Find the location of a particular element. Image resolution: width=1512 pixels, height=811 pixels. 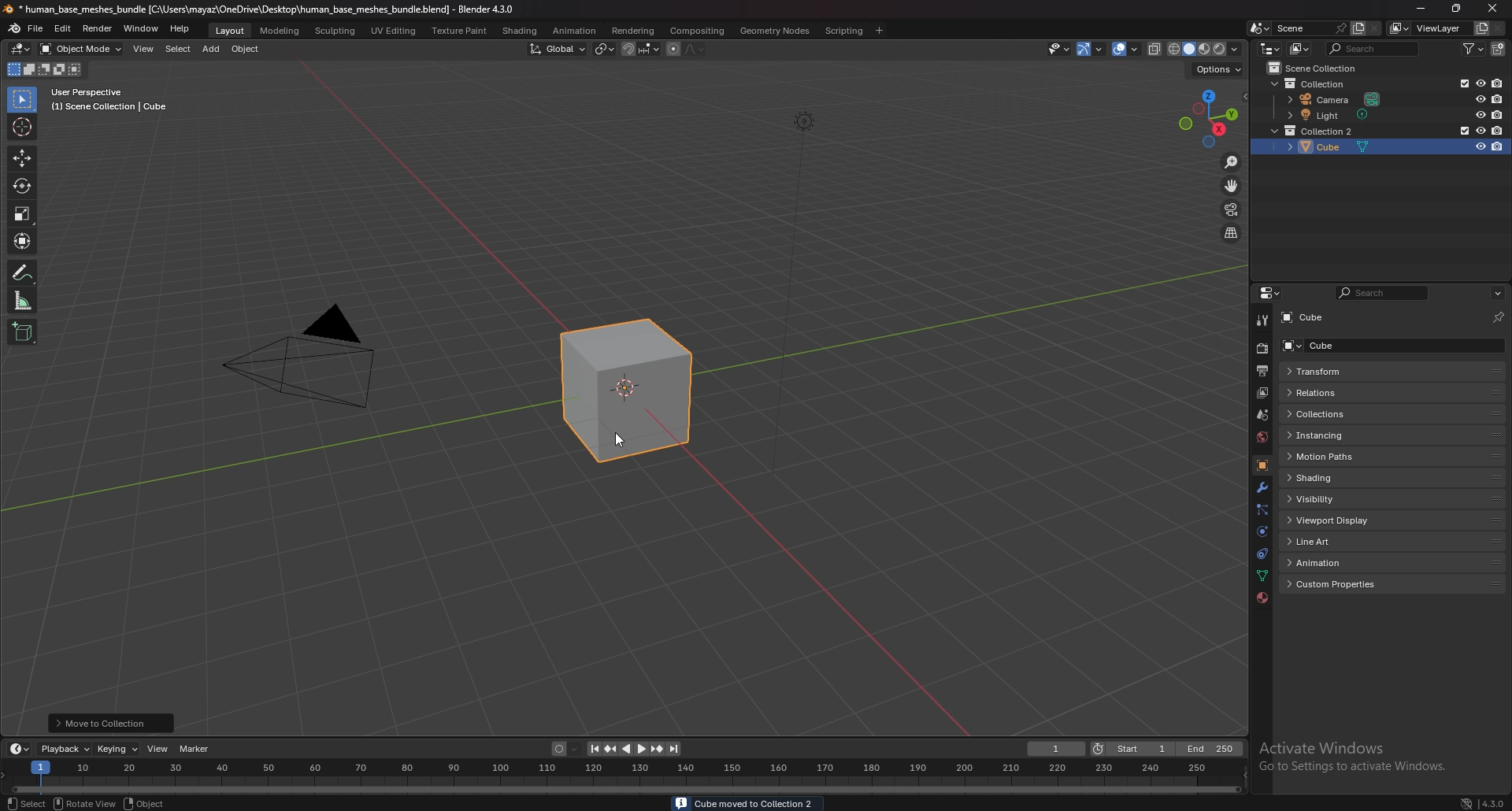

pin scene is located at coordinates (1340, 27).